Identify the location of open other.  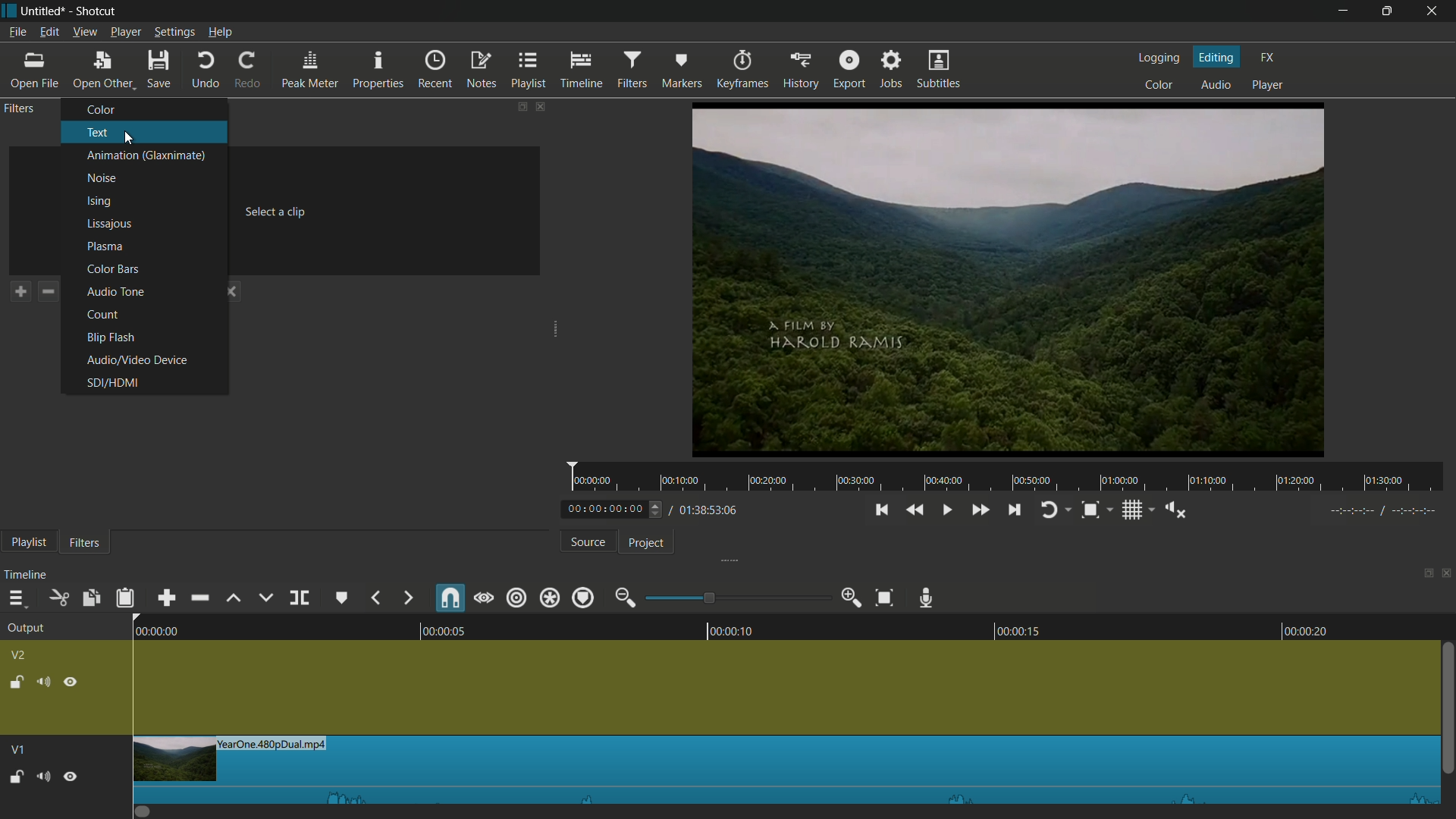
(101, 71).